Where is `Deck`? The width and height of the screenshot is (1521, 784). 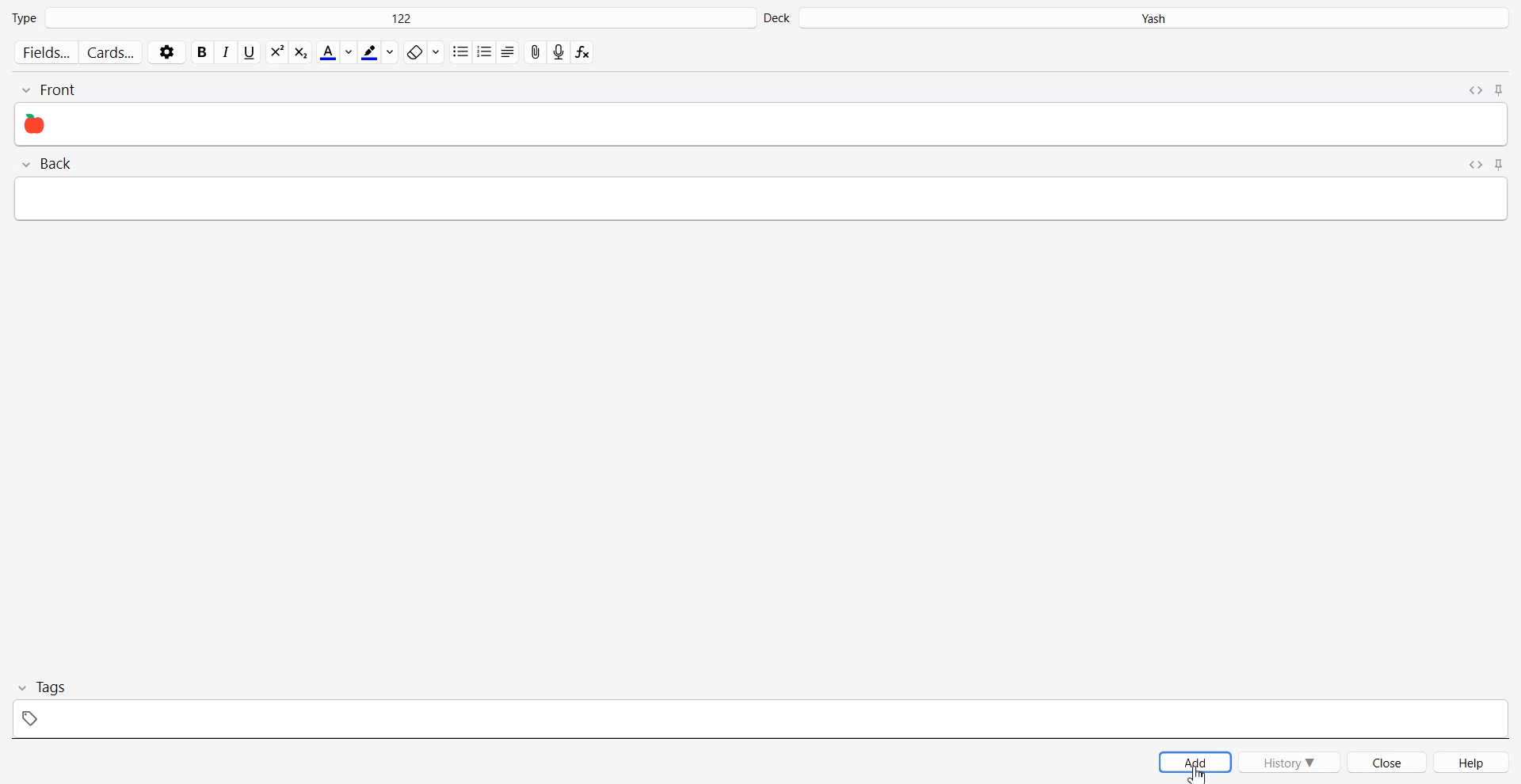
Deck is located at coordinates (1138, 18).